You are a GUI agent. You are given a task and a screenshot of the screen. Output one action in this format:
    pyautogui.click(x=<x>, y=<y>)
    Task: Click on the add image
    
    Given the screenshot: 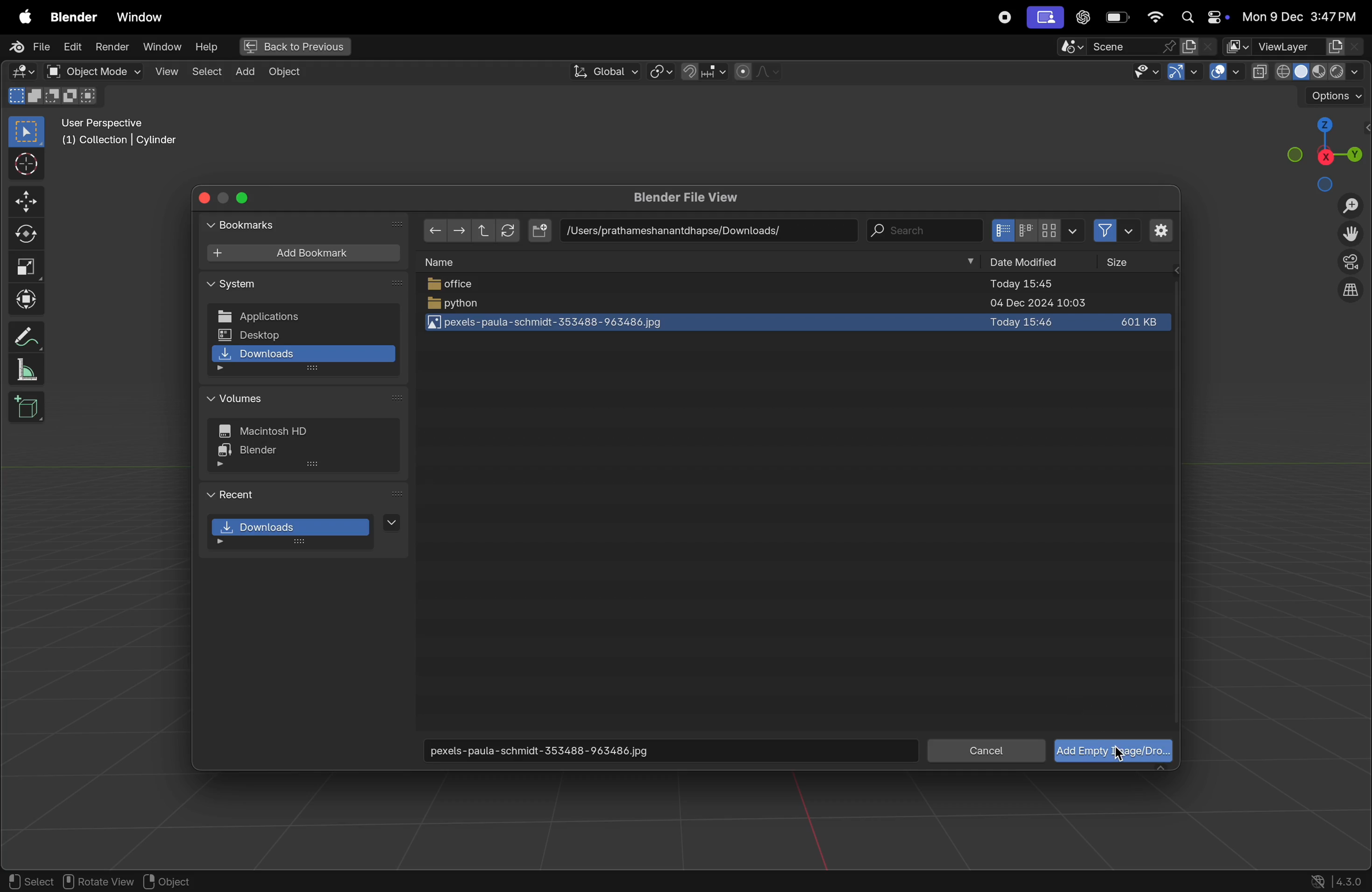 What is the action you would take?
    pyautogui.click(x=1111, y=751)
    